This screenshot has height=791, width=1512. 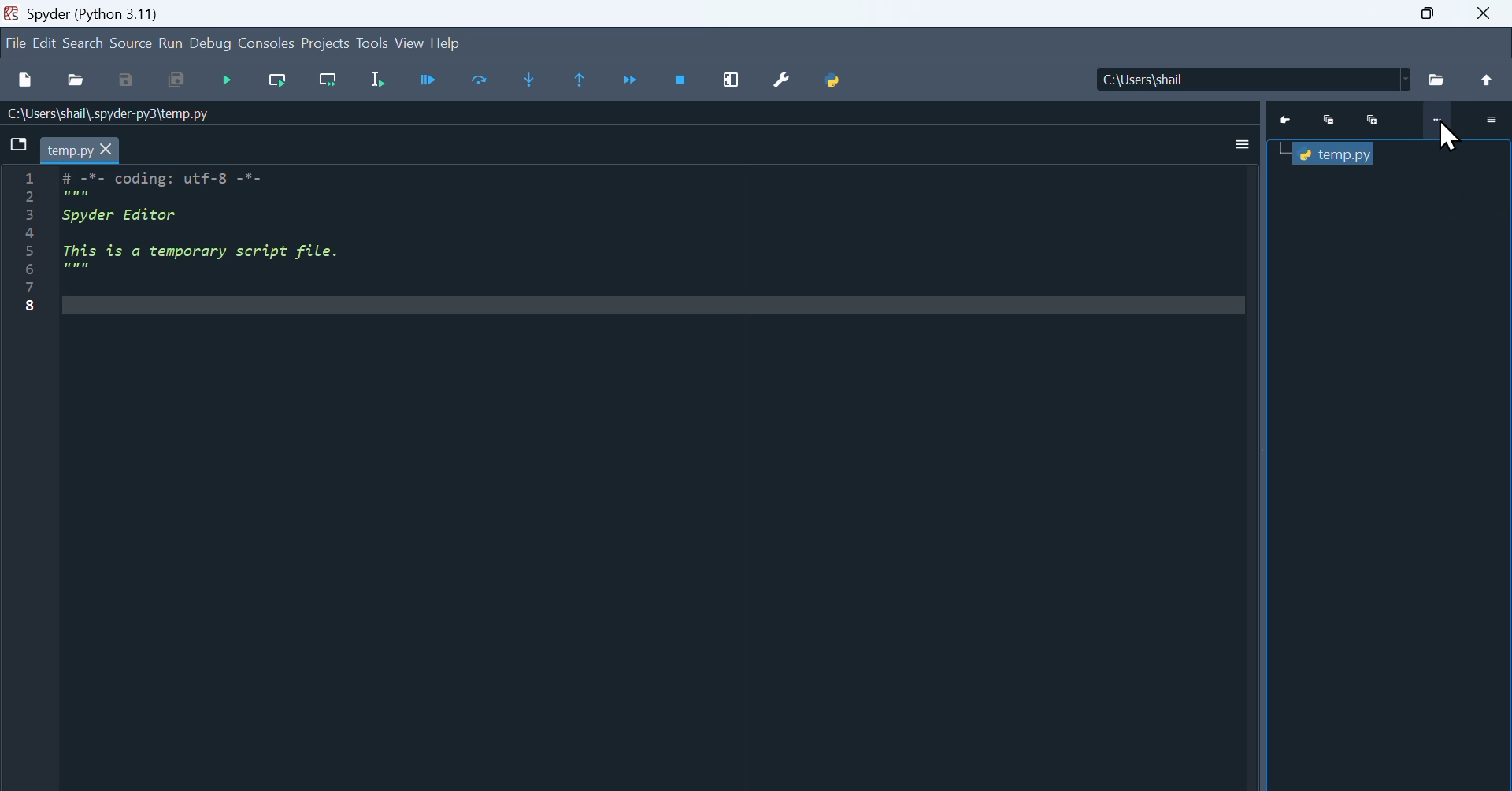 What do you see at coordinates (428, 83) in the screenshot?
I see `Run cell` at bounding box center [428, 83].